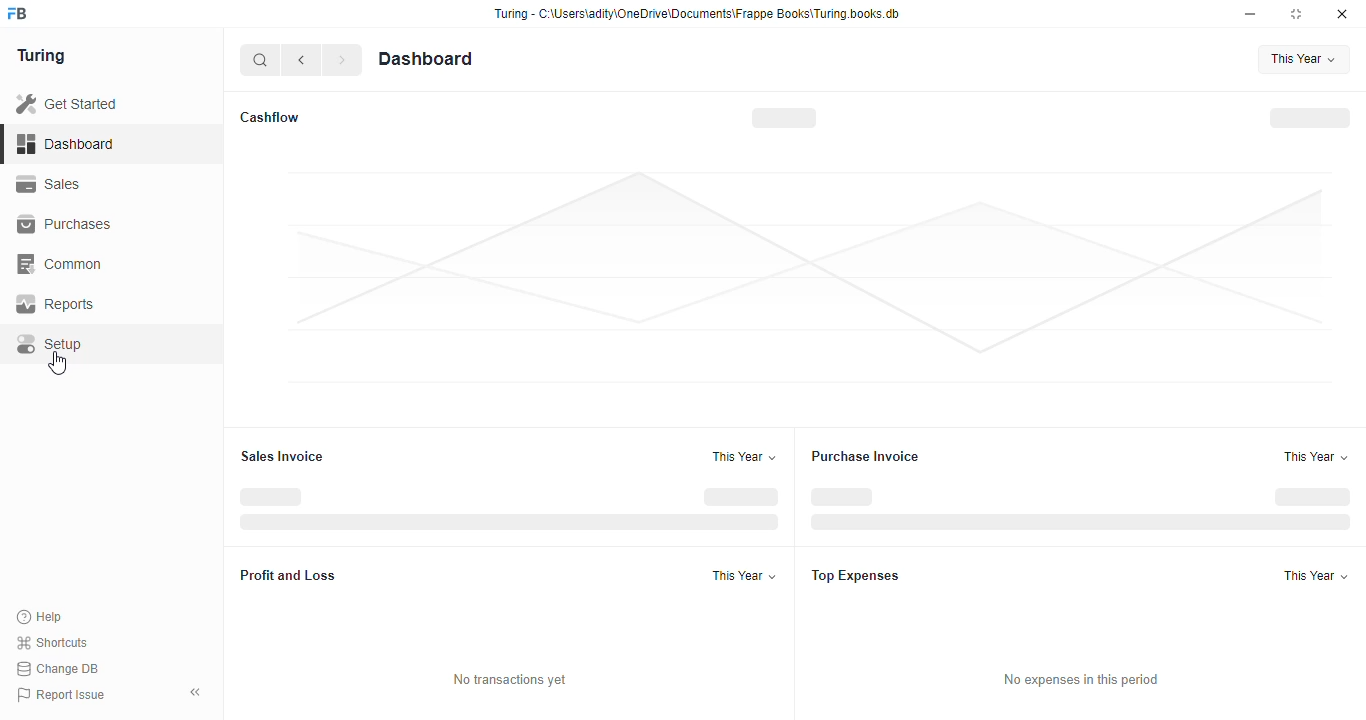 Image resolution: width=1366 pixels, height=720 pixels. I want to click on maximise, so click(1299, 14).